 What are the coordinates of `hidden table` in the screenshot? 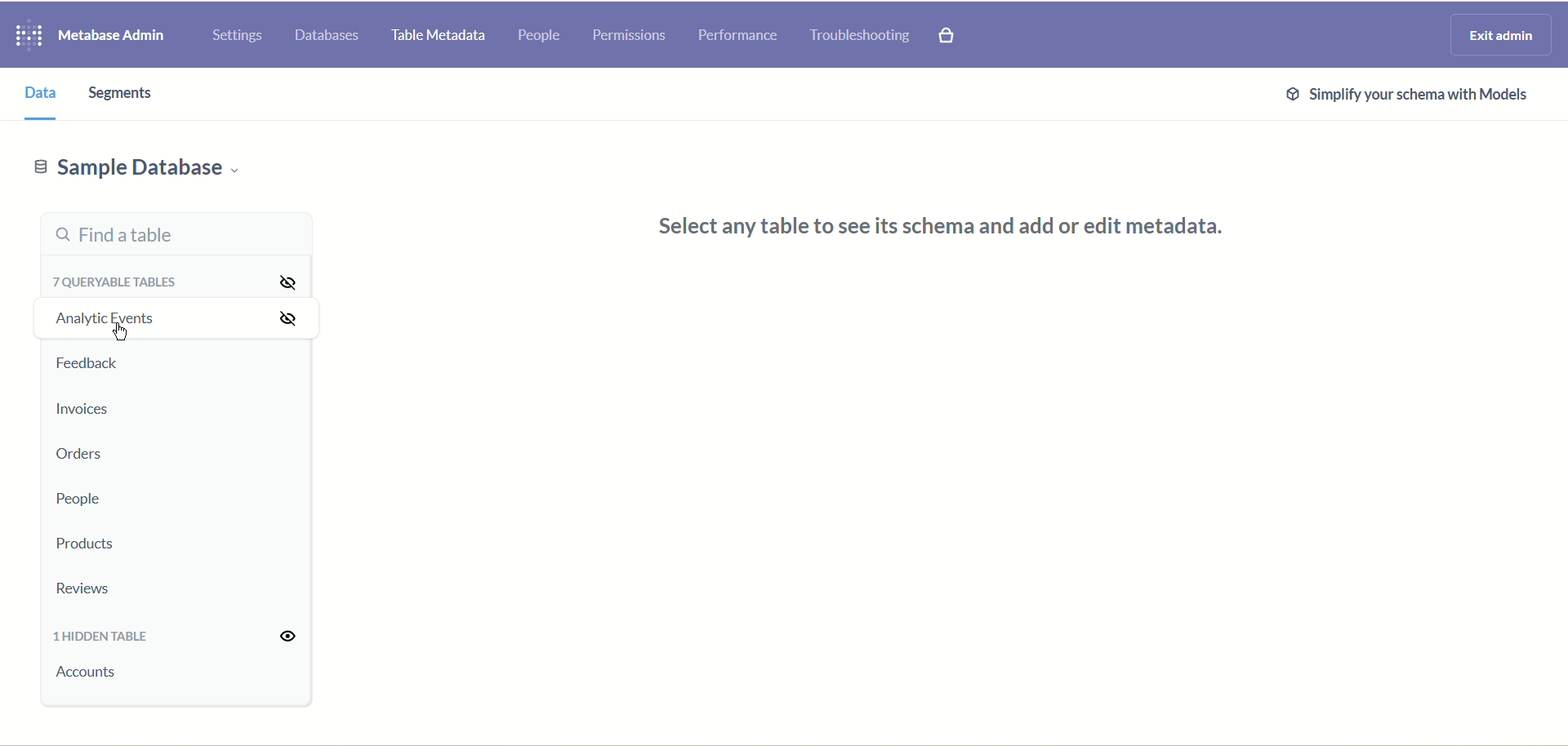 It's located at (102, 639).